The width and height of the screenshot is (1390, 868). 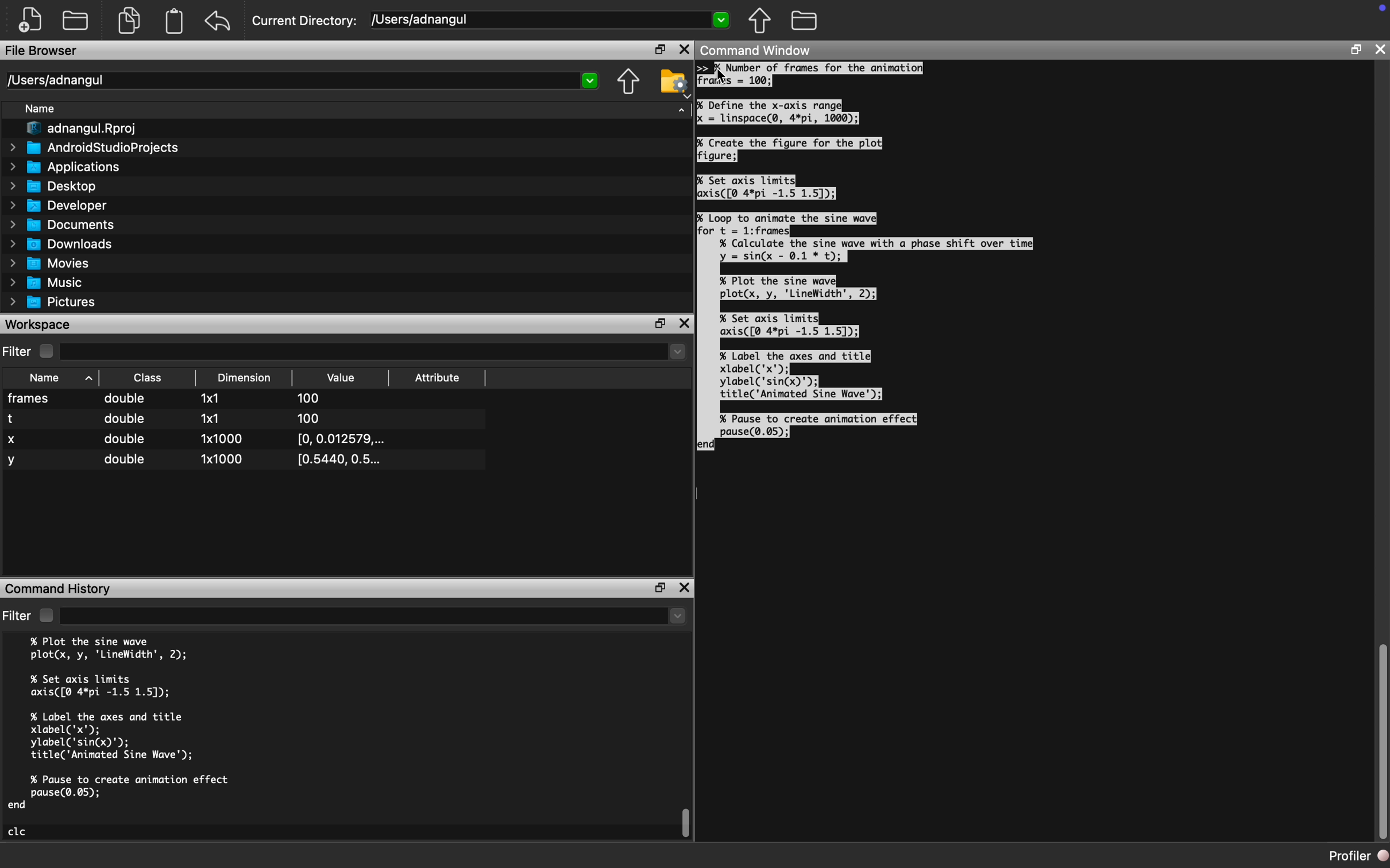 I want to click on Command History, so click(x=60, y=588).